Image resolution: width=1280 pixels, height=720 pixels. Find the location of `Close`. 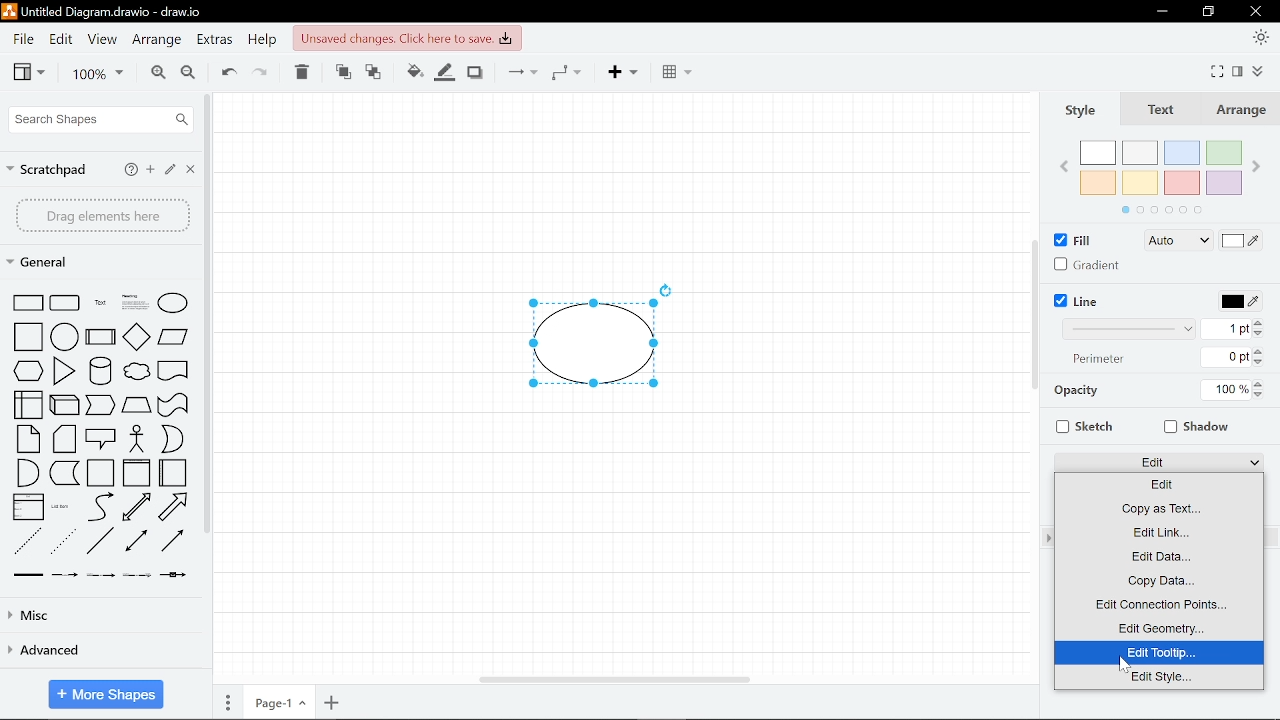

Close is located at coordinates (189, 168).